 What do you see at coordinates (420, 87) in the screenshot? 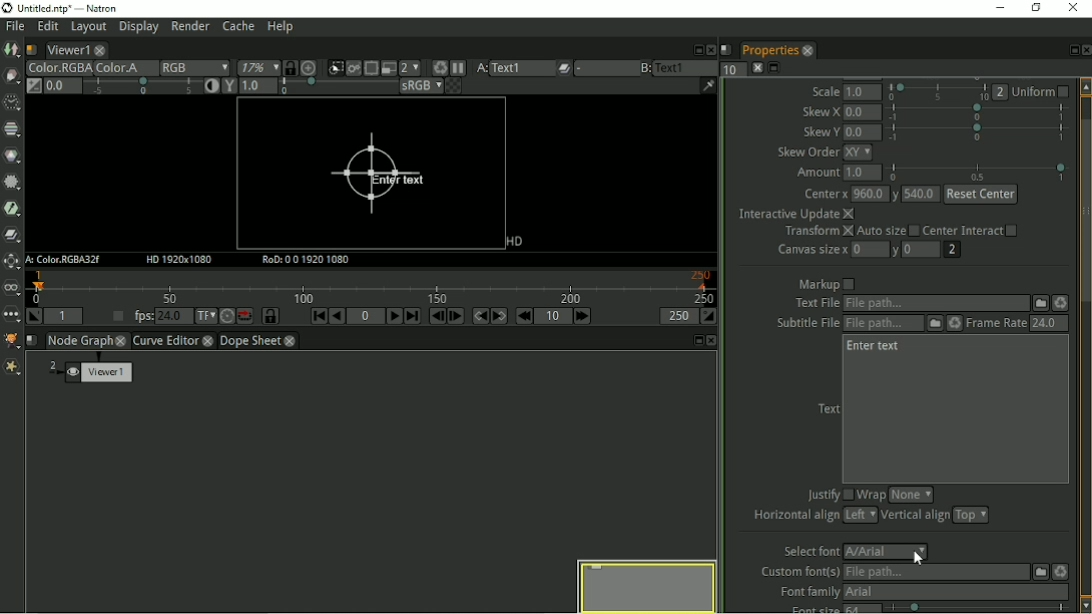
I see `sRGB` at bounding box center [420, 87].